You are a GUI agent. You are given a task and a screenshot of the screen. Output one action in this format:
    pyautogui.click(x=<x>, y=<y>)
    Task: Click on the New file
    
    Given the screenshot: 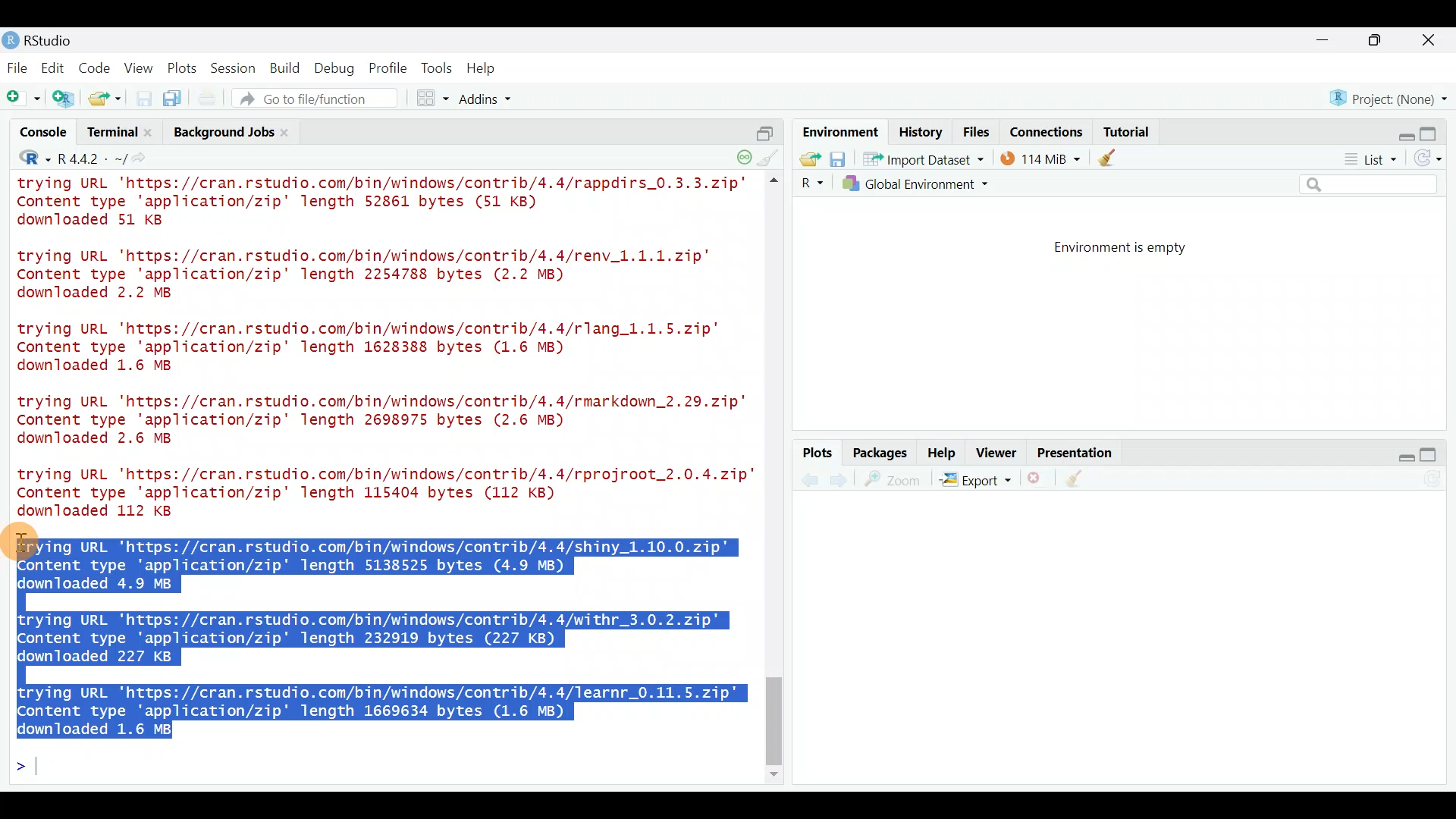 What is the action you would take?
    pyautogui.click(x=22, y=99)
    